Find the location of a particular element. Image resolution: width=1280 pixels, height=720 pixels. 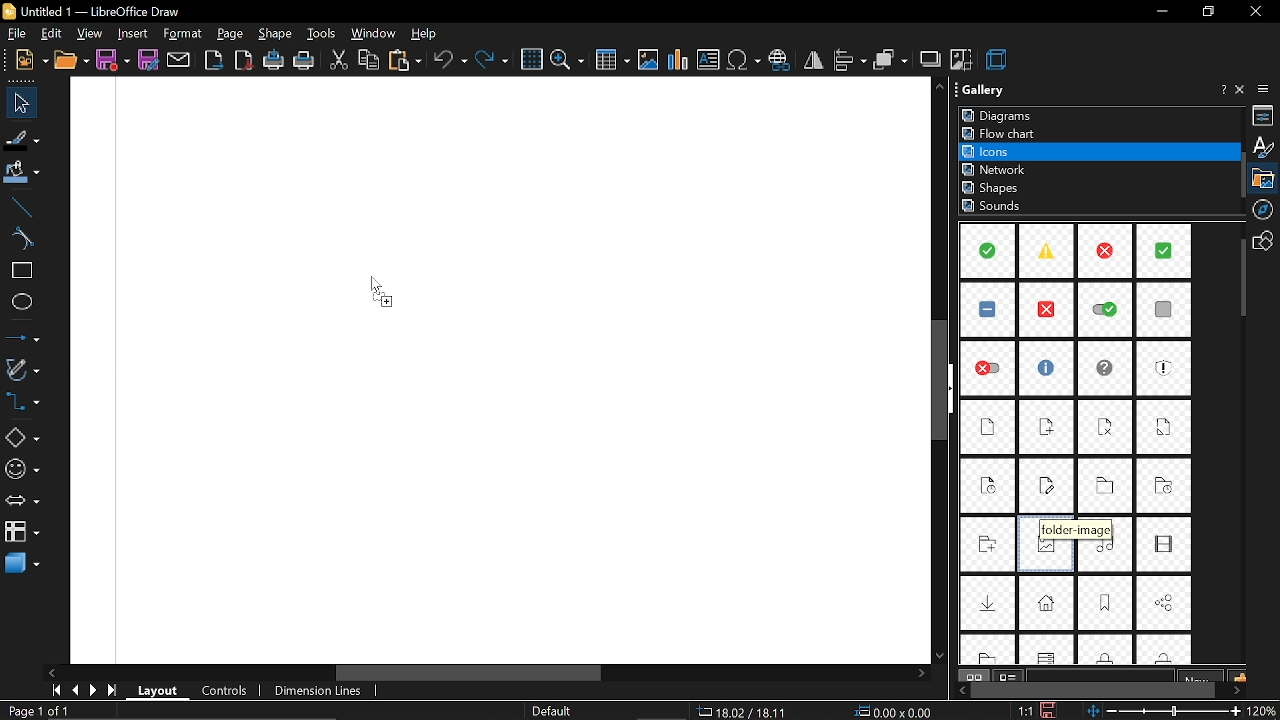

select is located at coordinates (16, 103).